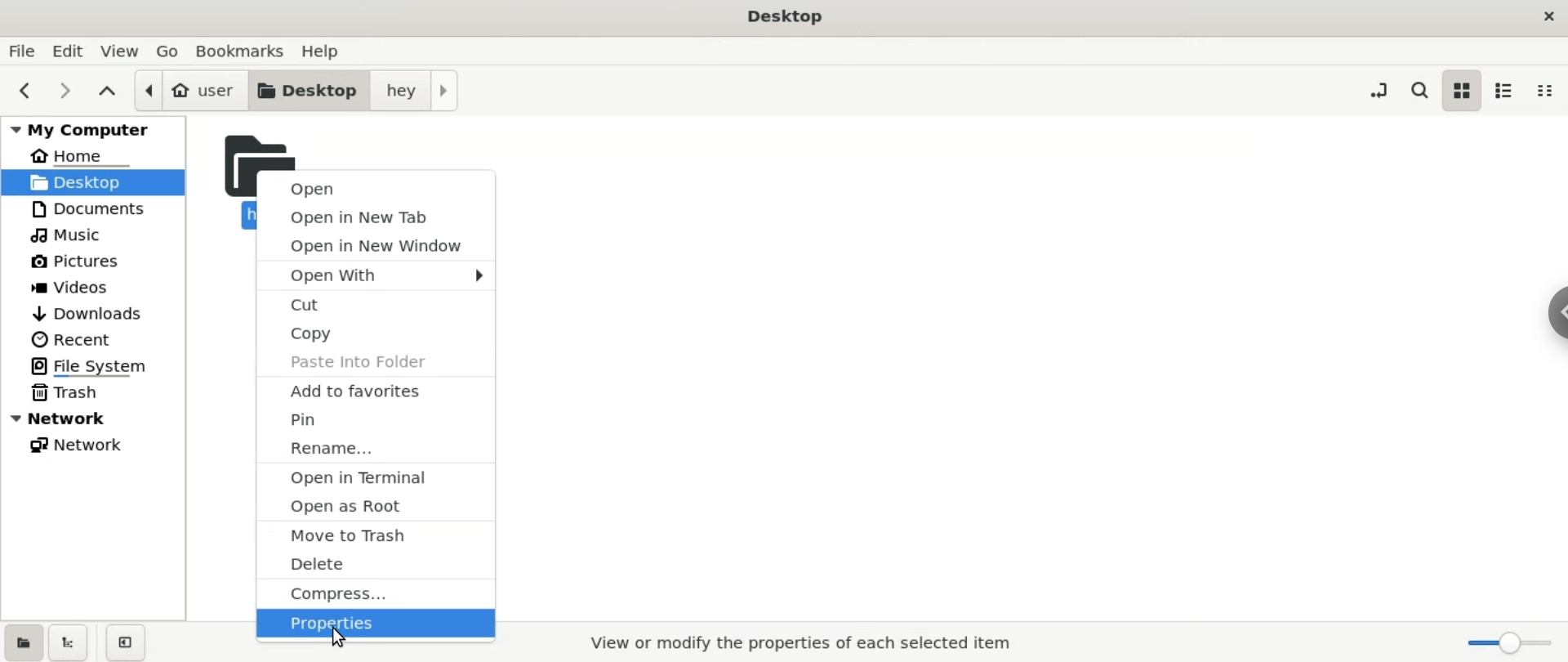  I want to click on open in new tab, so click(376, 219).